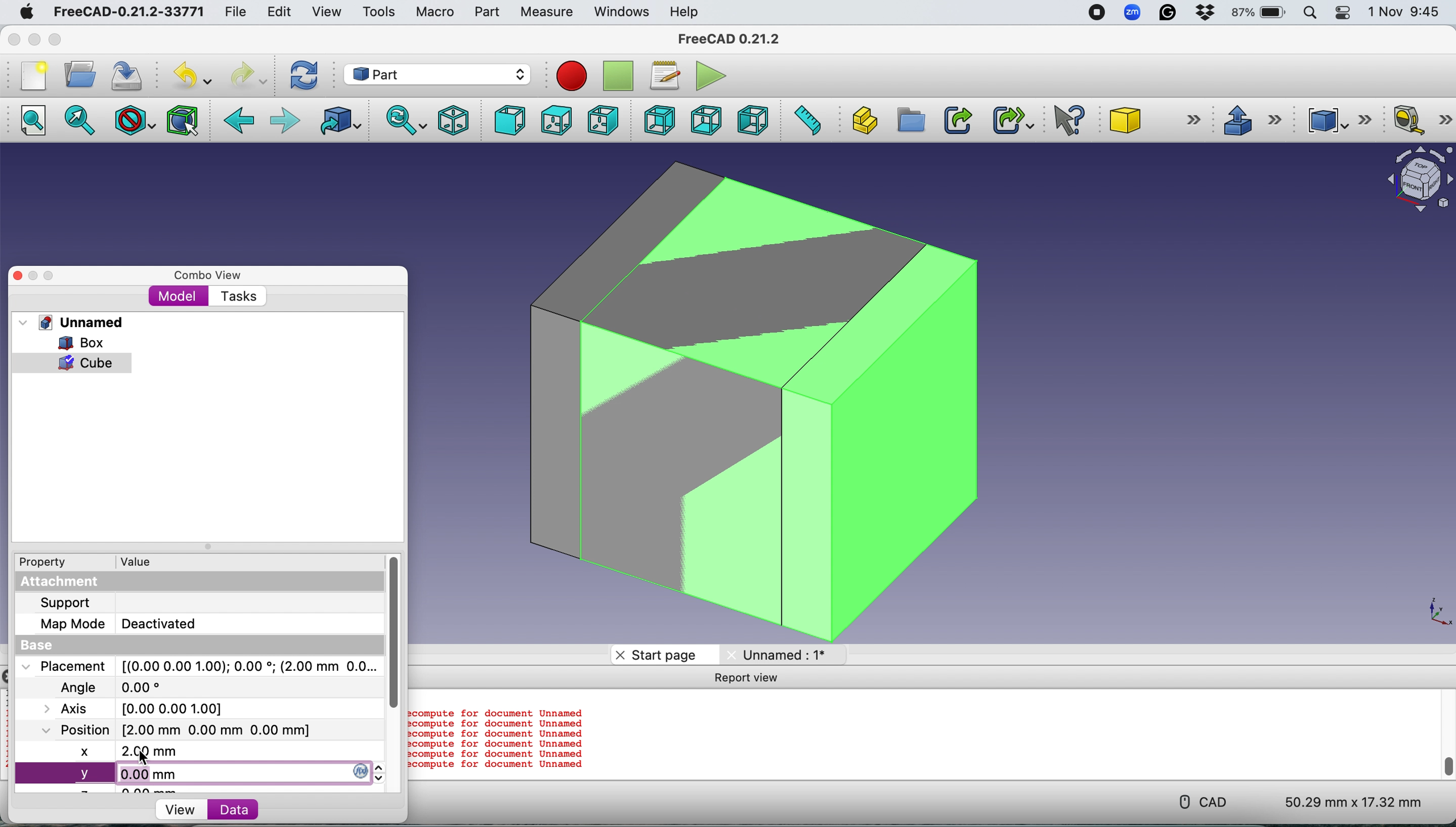 This screenshot has height=827, width=1456. What do you see at coordinates (454, 119) in the screenshot?
I see `Isometric` at bounding box center [454, 119].